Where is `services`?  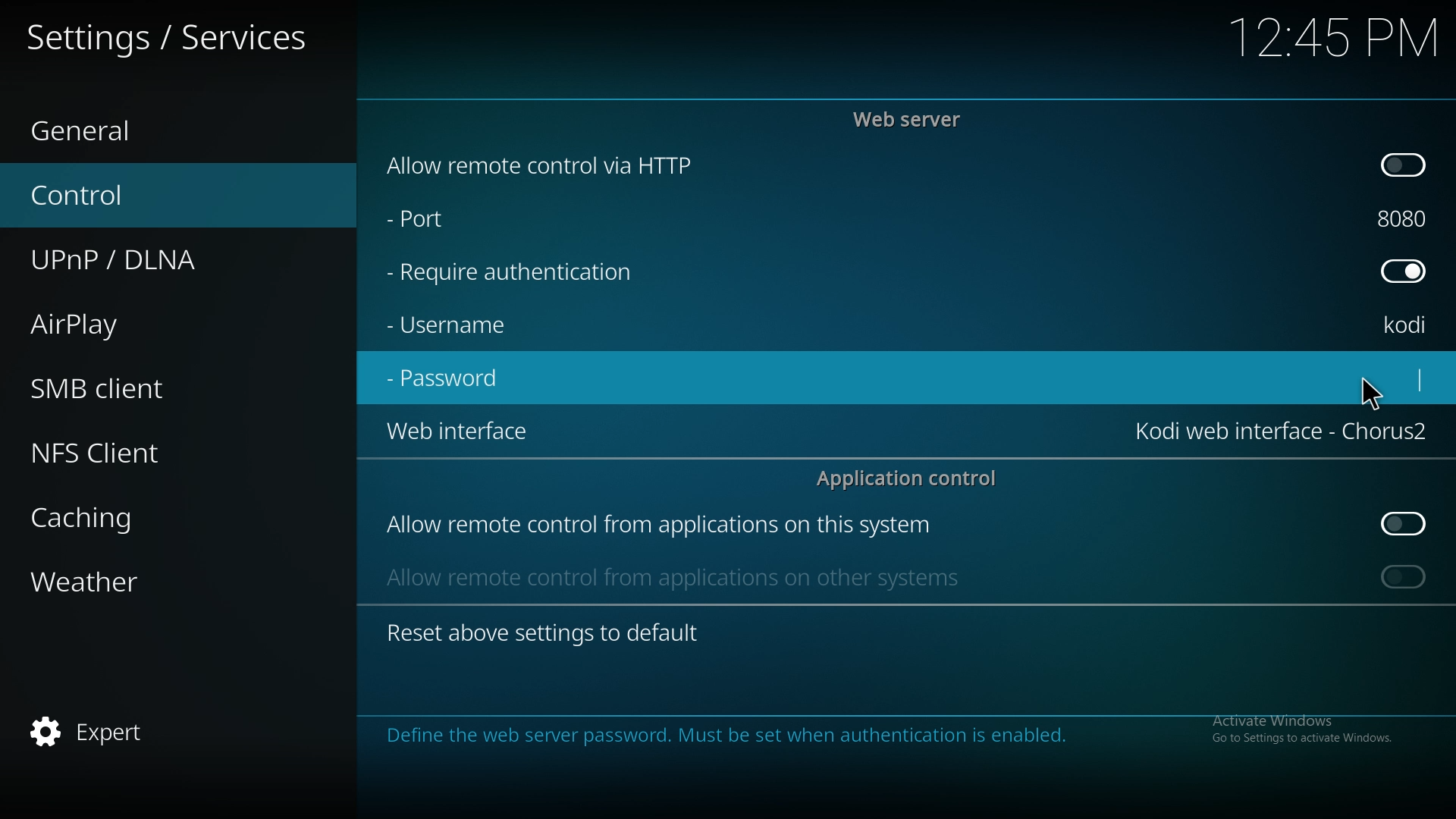
services is located at coordinates (174, 36).